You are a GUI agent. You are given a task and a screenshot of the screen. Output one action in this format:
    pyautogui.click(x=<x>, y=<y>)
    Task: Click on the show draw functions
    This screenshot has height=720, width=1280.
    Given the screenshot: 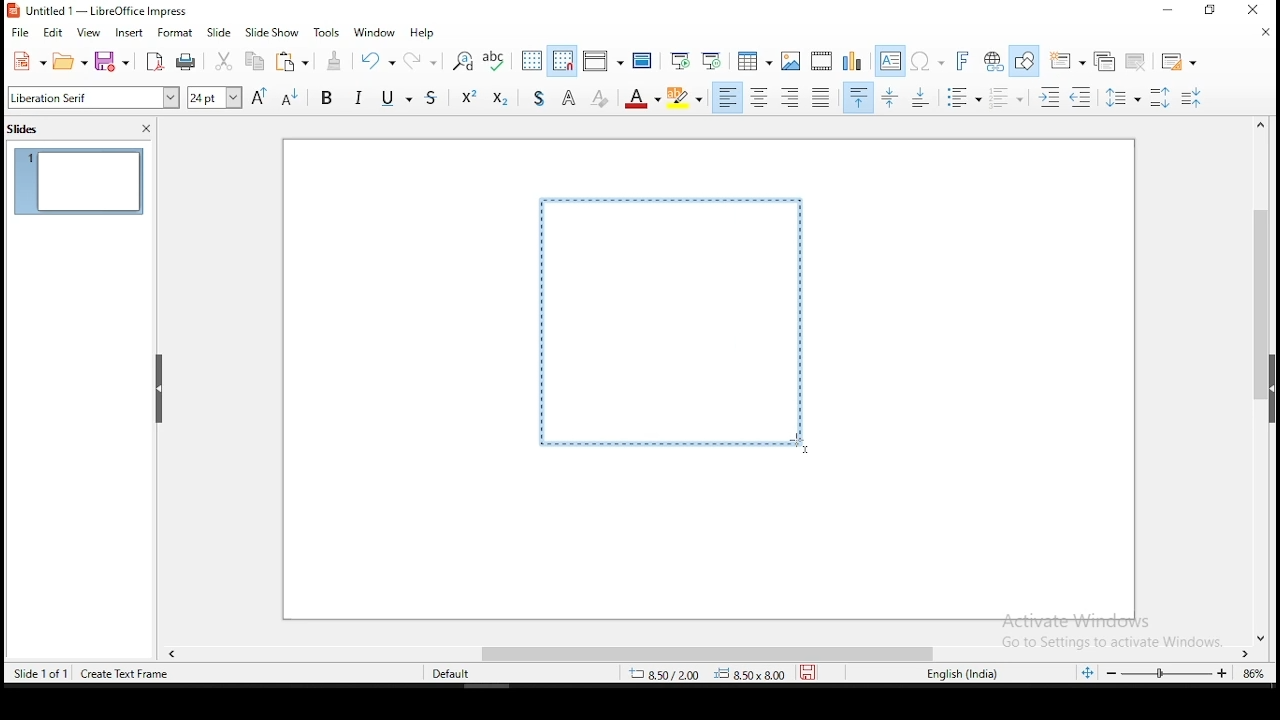 What is the action you would take?
    pyautogui.click(x=1024, y=60)
    